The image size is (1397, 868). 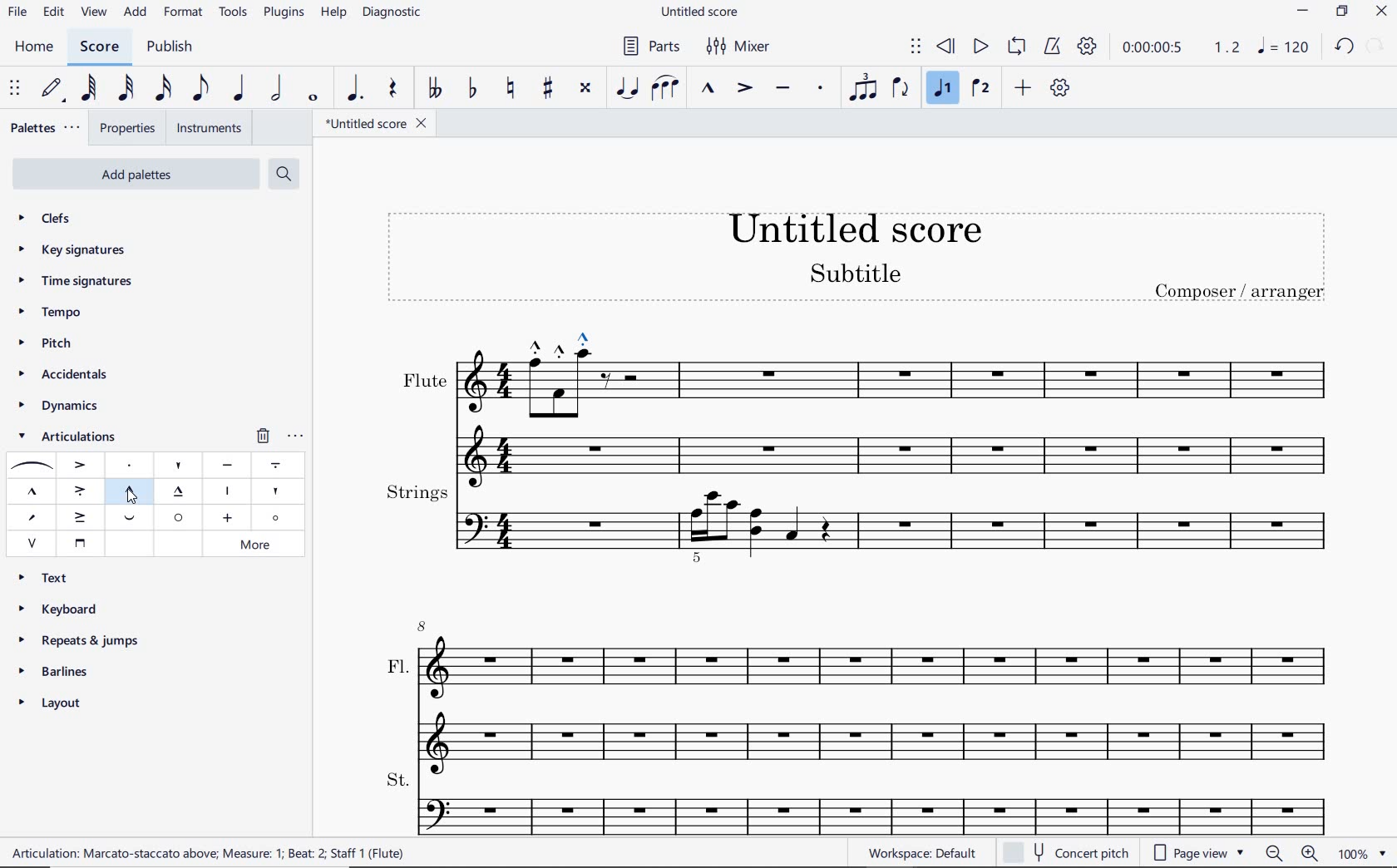 I want to click on keyboard, so click(x=63, y=609).